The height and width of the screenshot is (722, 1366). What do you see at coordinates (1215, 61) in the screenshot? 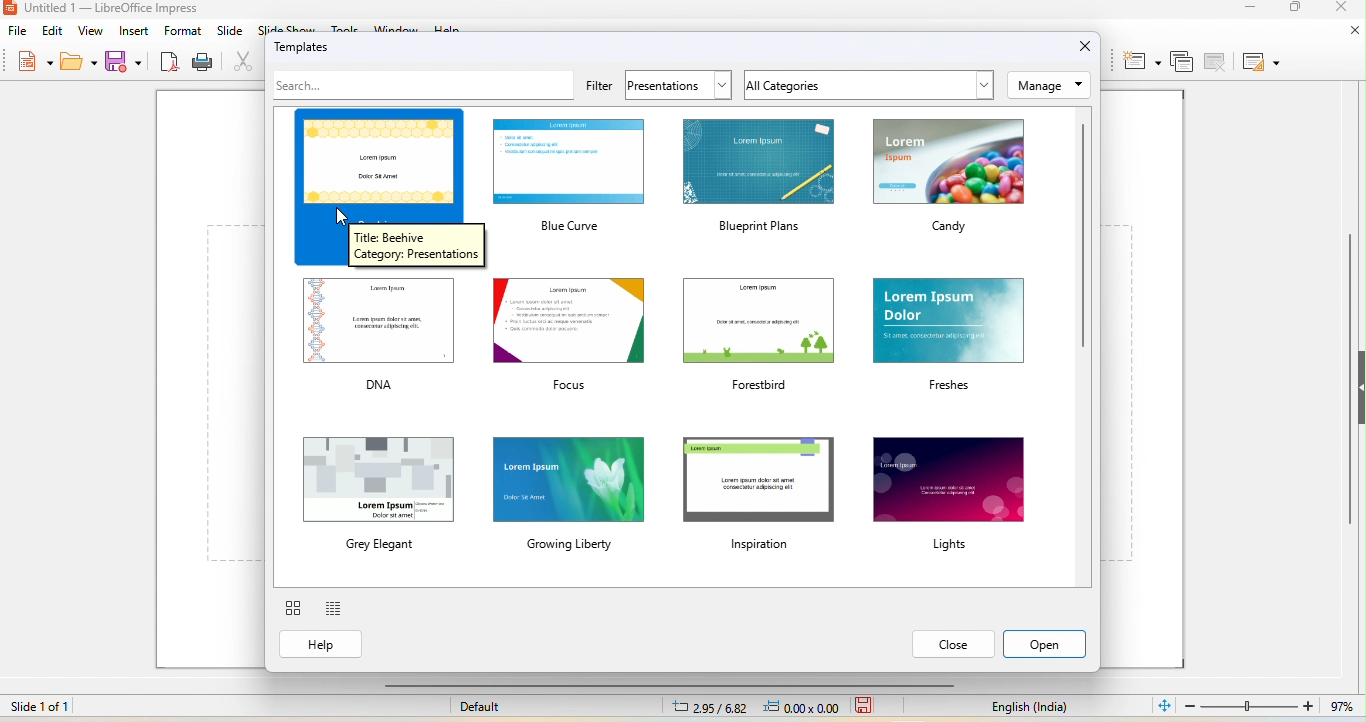
I see `delete slide` at bounding box center [1215, 61].